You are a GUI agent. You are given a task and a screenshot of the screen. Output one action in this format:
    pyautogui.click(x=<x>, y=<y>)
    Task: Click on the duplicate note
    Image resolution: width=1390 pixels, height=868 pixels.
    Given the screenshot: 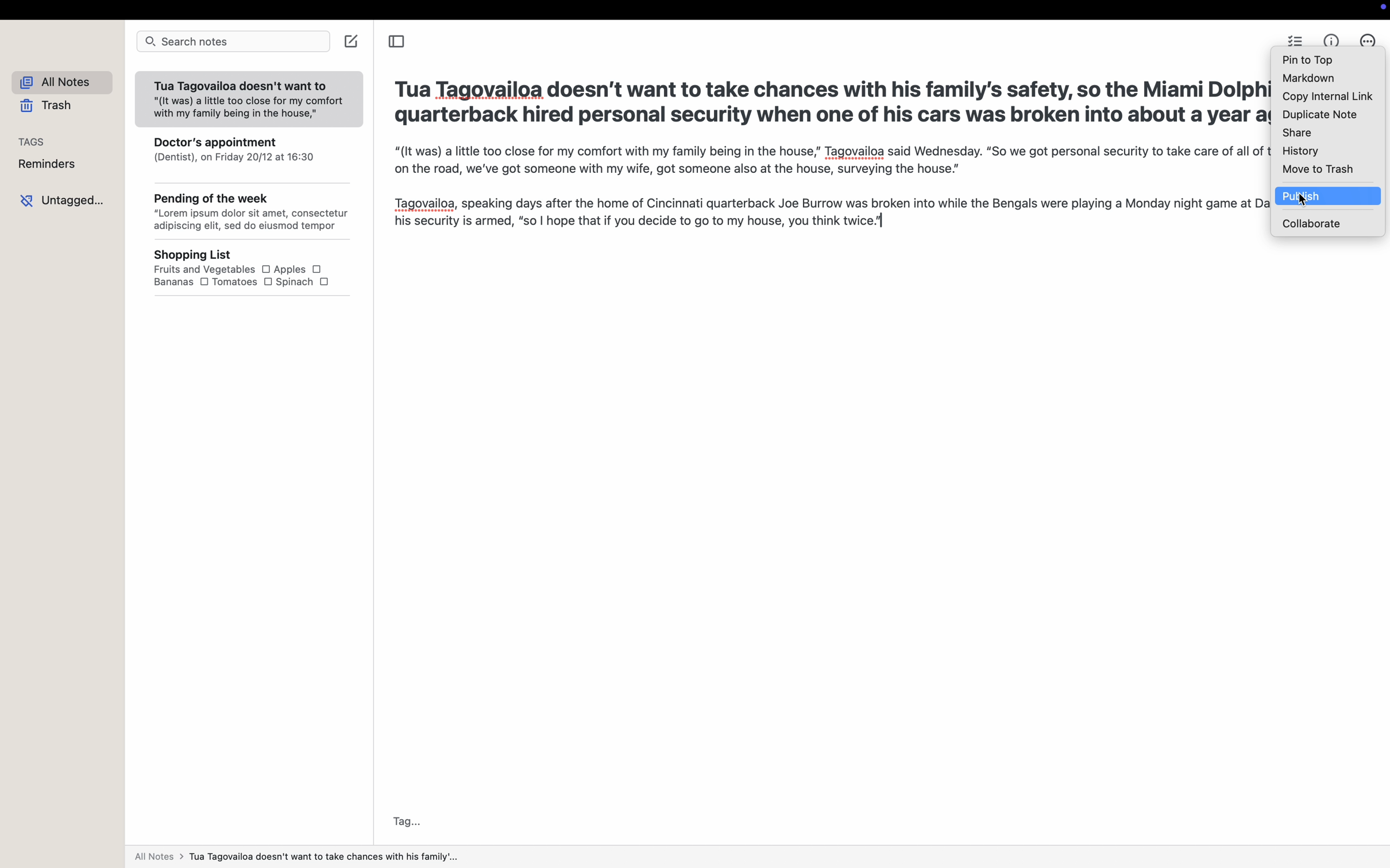 What is the action you would take?
    pyautogui.click(x=1319, y=116)
    